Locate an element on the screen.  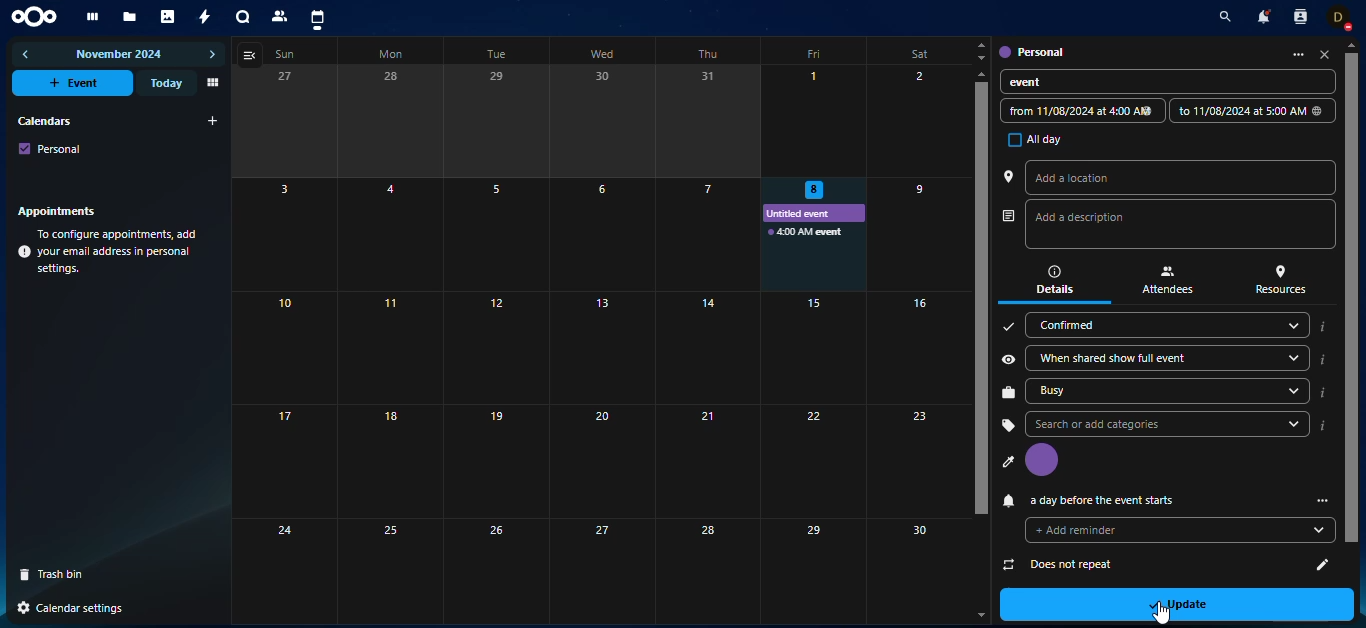
Cursor is located at coordinates (1162, 613).